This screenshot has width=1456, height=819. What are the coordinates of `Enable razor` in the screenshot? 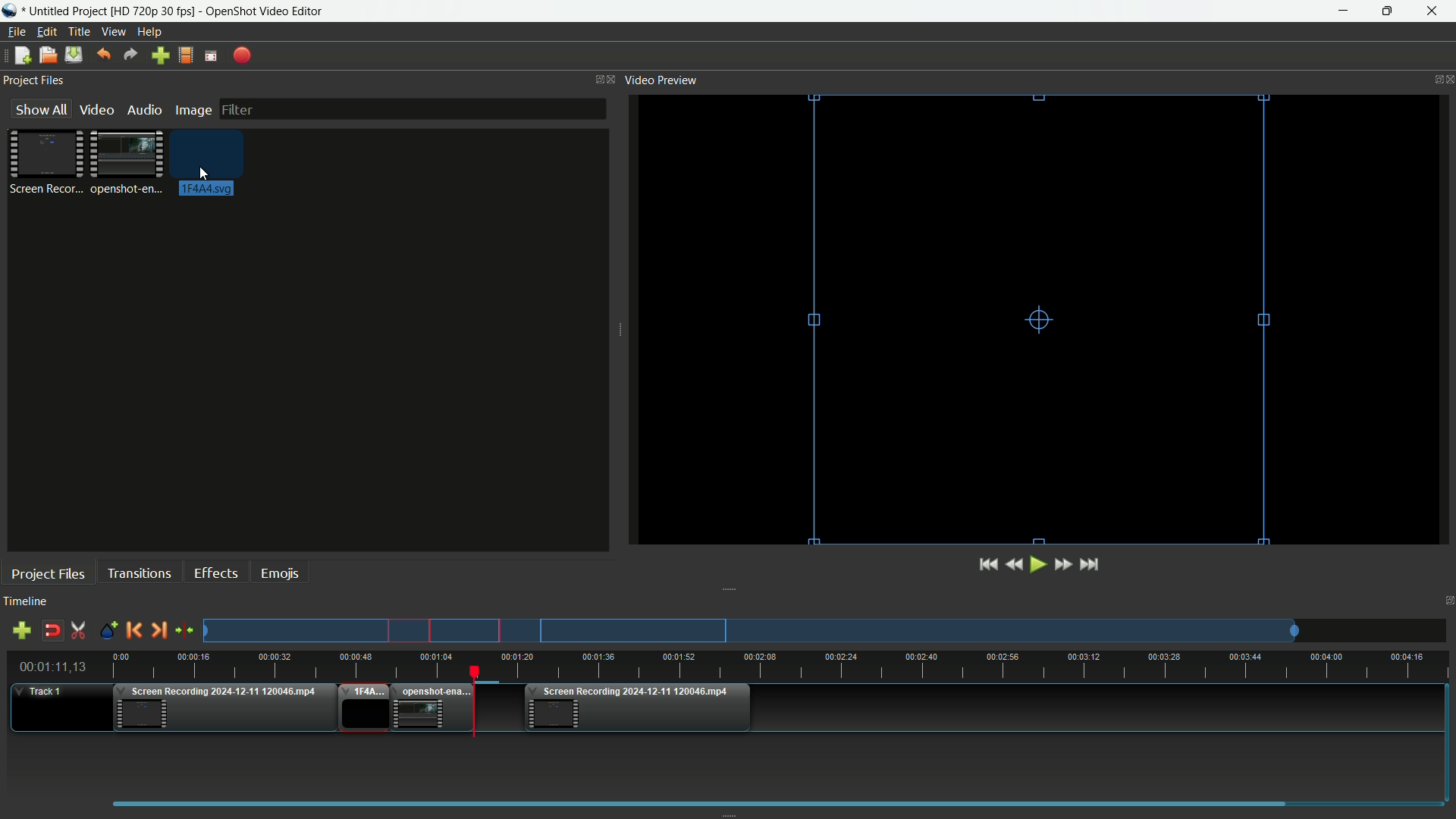 It's located at (79, 631).